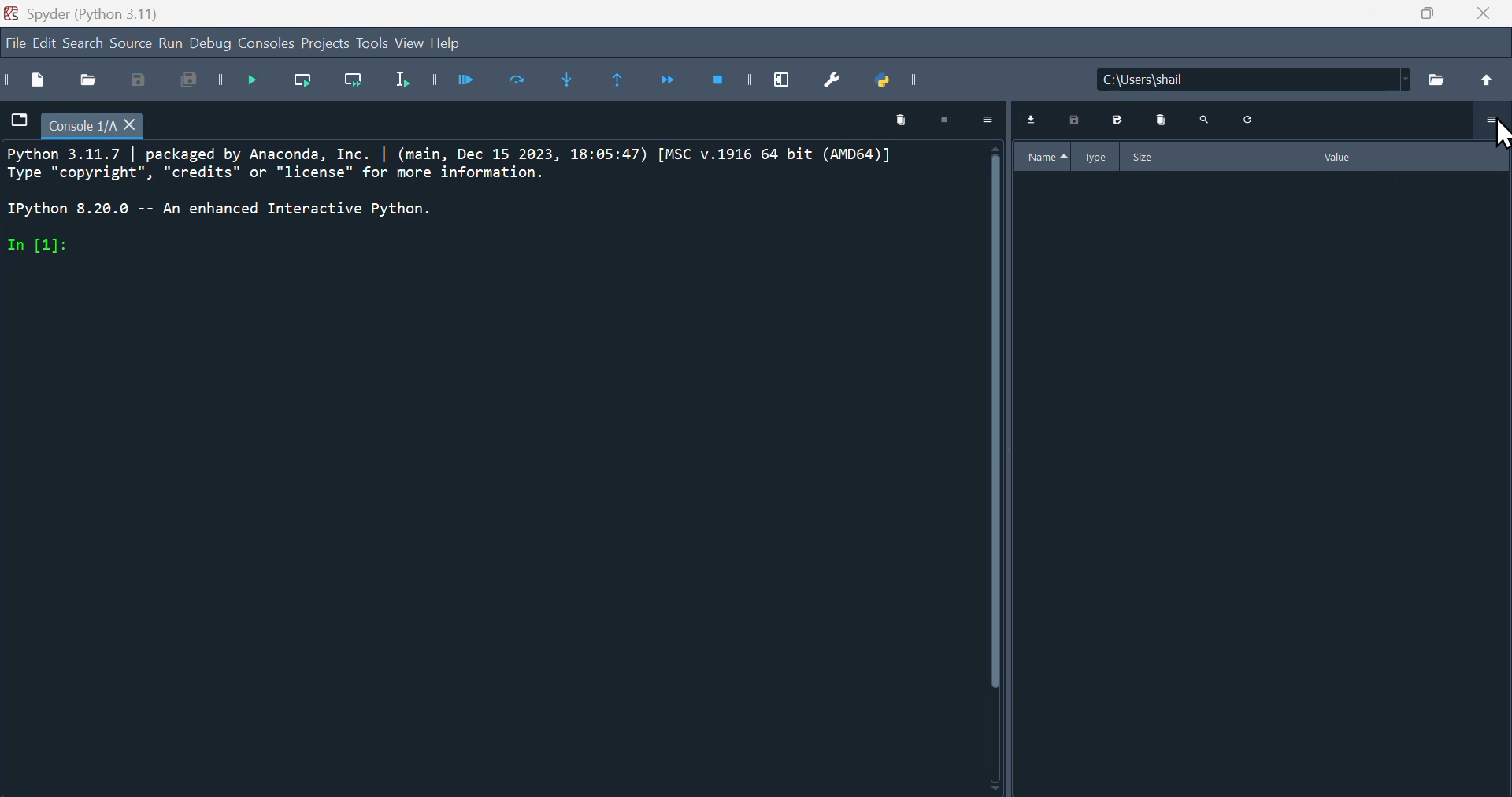  I want to click on Python path manager, so click(897, 85).